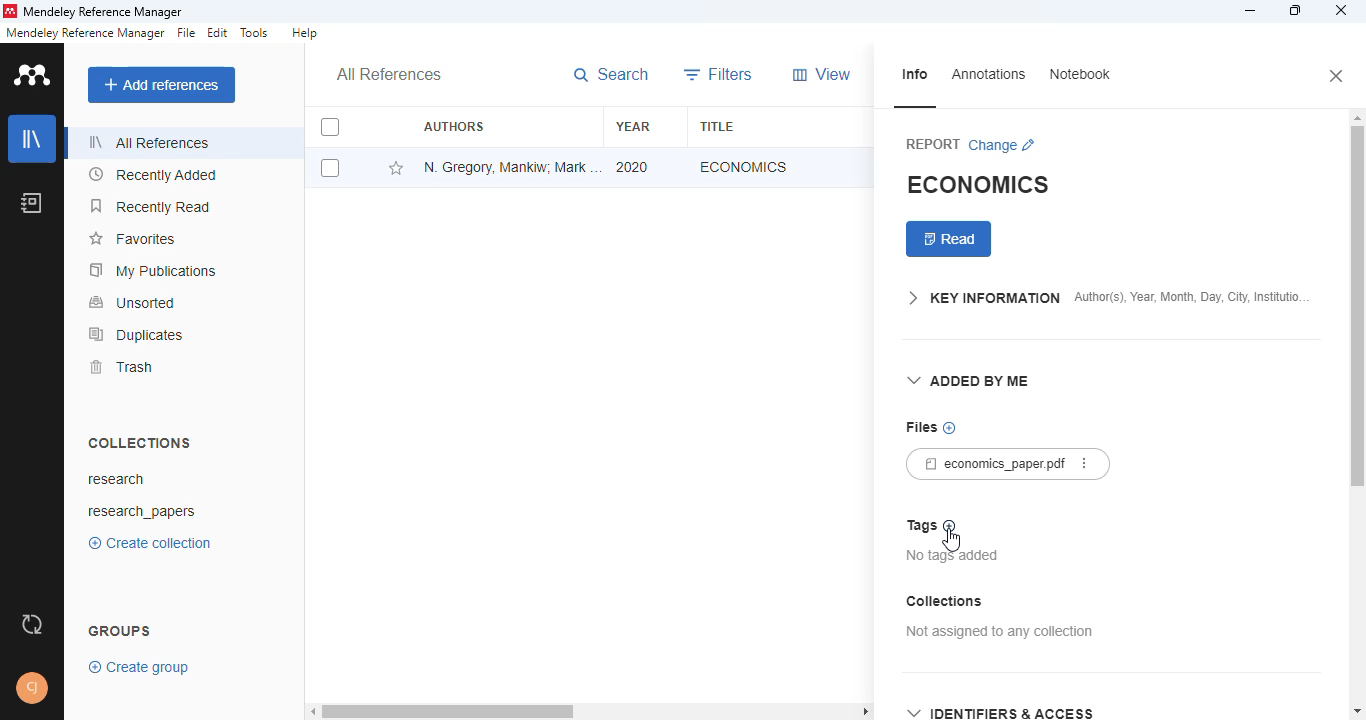 The image size is (1366, 720). I want to click on unsorted, so click(133, 302).